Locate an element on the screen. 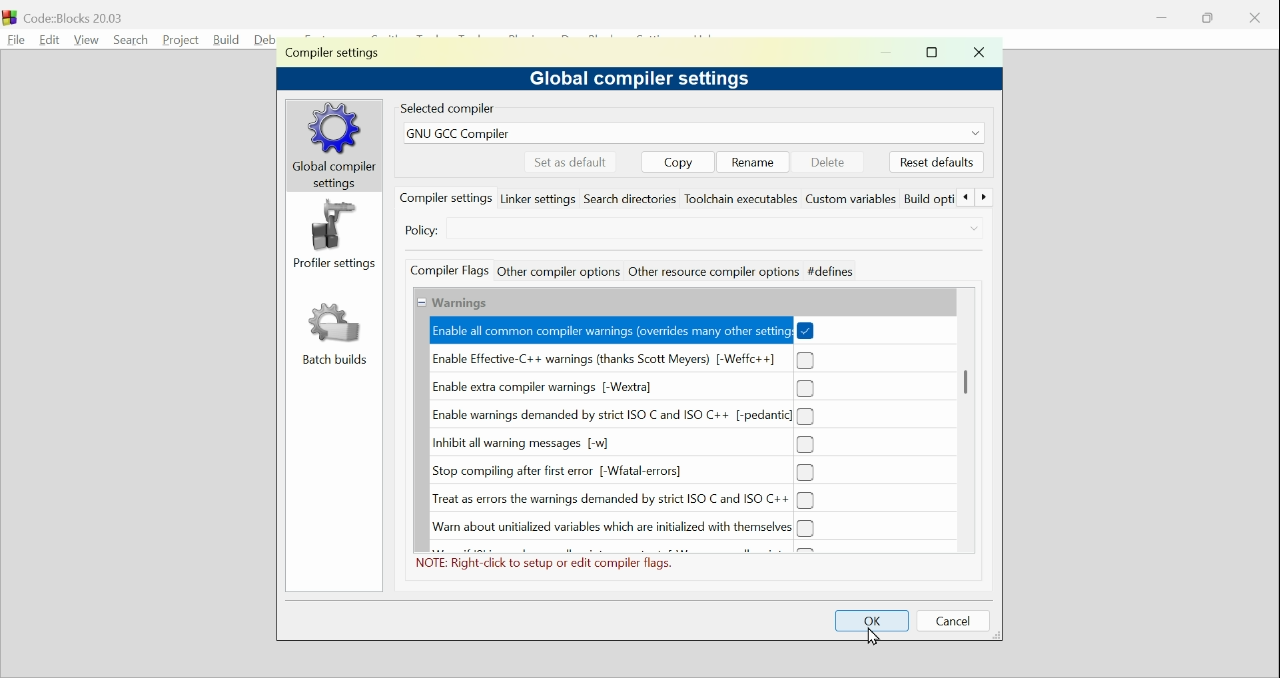 This screenshot has width=1280, height=678. copy is located at coordinates (678, 161).